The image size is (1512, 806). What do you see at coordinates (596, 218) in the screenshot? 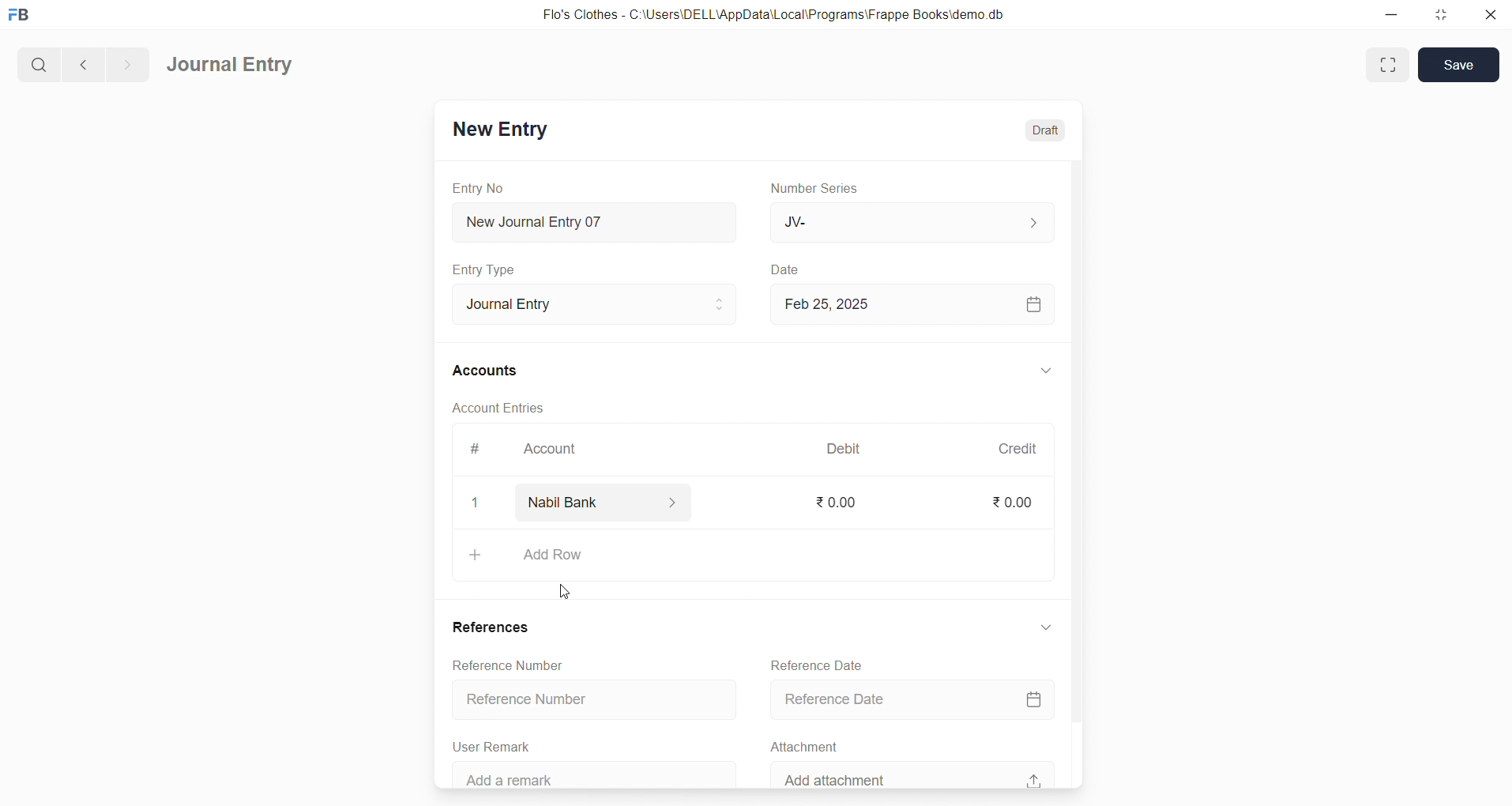
I see `New Journal Entry 07` at bounding box center [596, 218].